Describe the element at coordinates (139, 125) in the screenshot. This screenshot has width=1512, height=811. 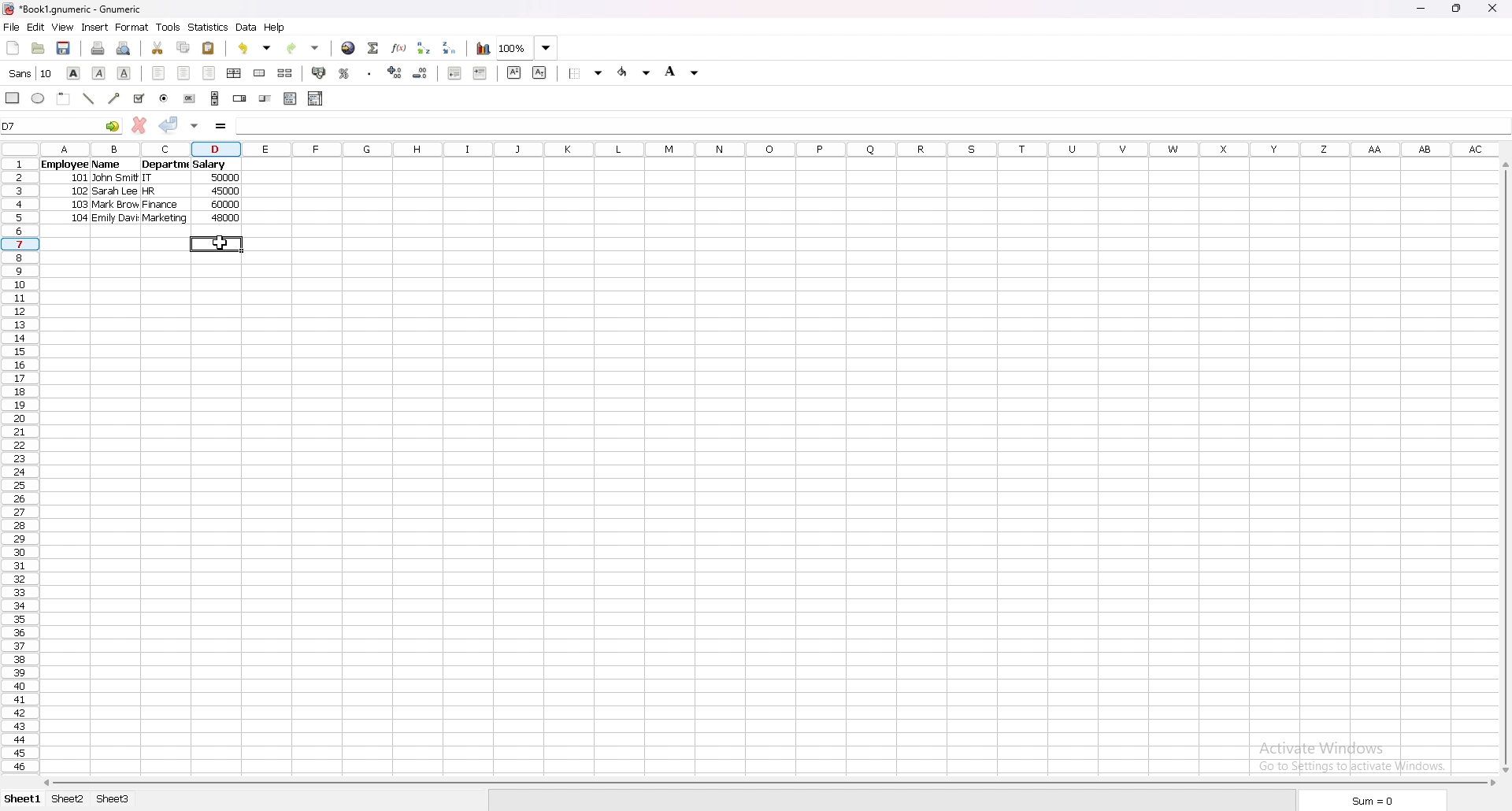
I see `cancel changes` at that location.